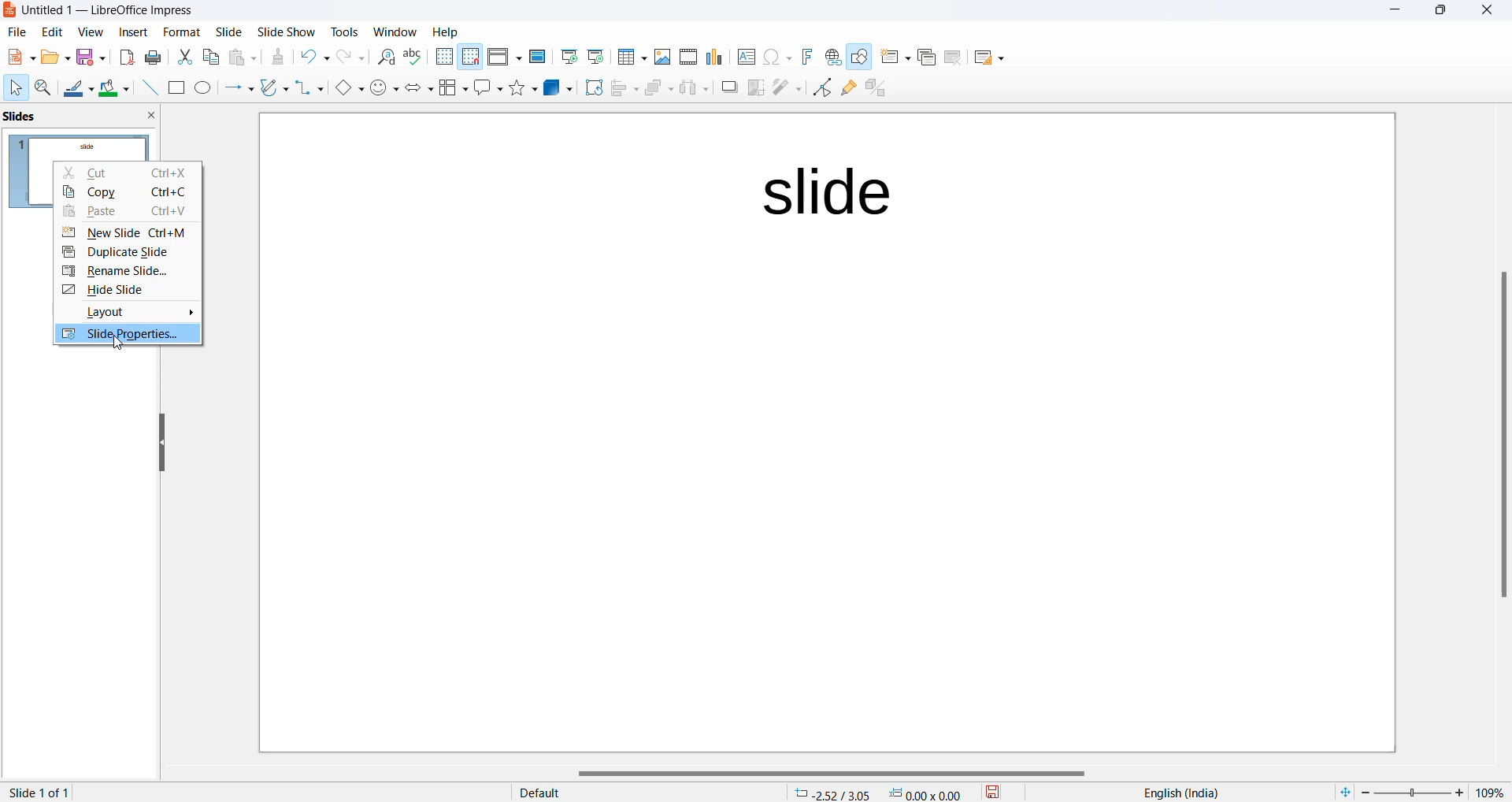  I want to click on resize, so click(161, 444).